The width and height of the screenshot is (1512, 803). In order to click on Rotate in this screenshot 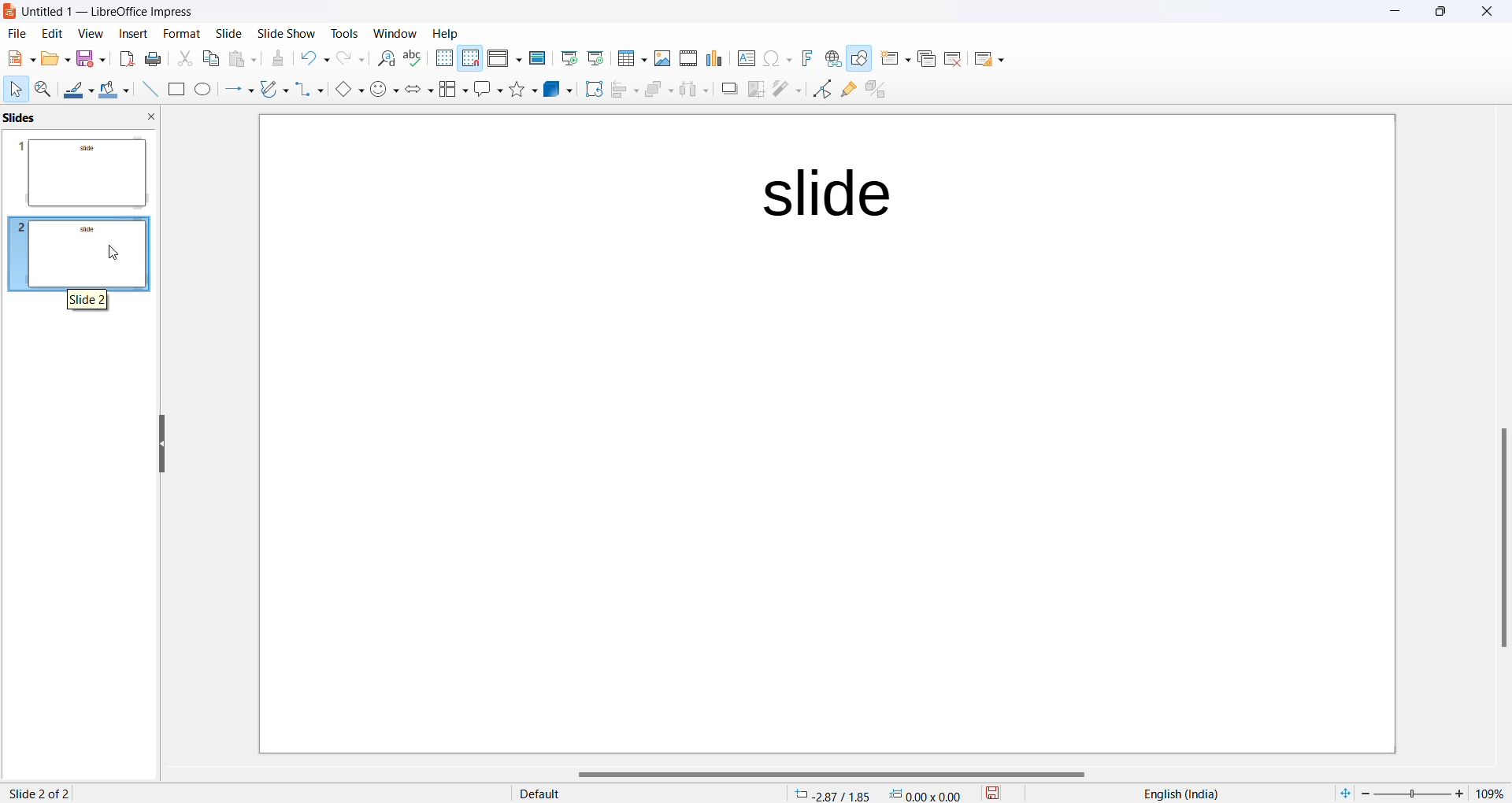, I will do `click(590, 91)`.